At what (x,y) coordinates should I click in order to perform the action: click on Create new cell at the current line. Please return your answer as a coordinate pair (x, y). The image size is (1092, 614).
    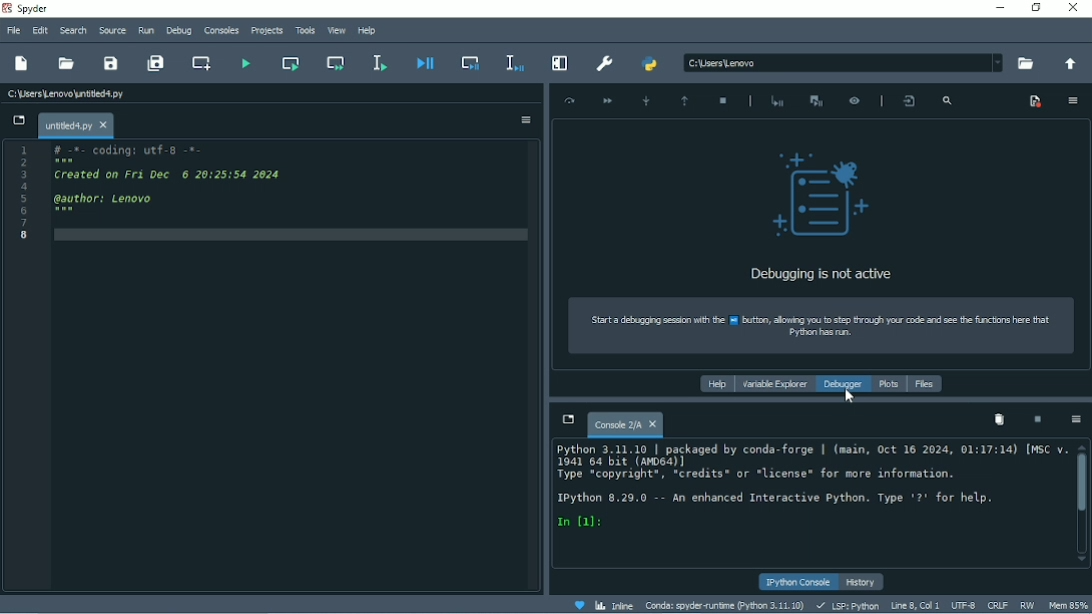
    Looking at the image, I should click on (200, 63).